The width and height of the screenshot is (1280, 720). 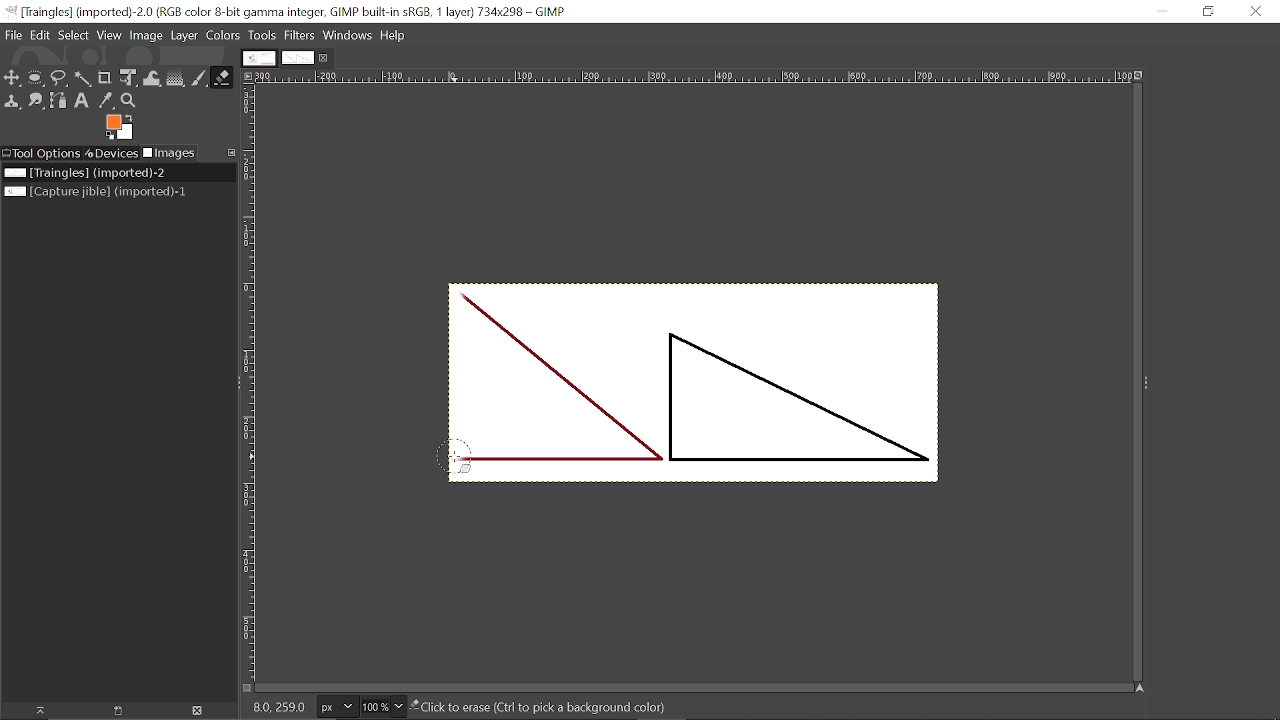 What do you see at coordinates (121, 127) in the screenshot?
I see `Foreground color` at bounding box center [121, 127].